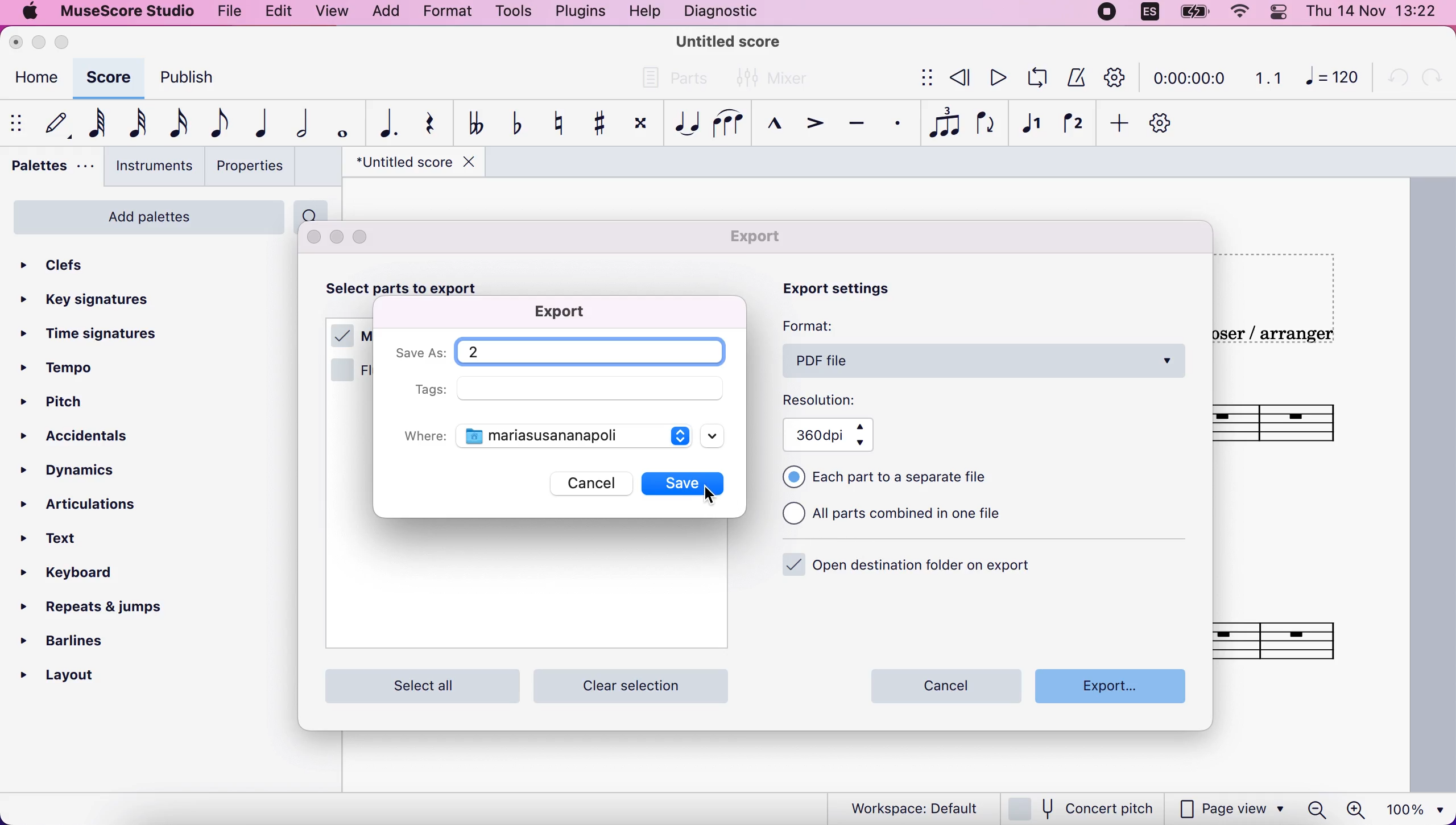 This screenshot has width=1456, height=825. What do you see at coordinates (1398, 80) in the screenshot?
I see `undo` at bounding box center [1398, 80].